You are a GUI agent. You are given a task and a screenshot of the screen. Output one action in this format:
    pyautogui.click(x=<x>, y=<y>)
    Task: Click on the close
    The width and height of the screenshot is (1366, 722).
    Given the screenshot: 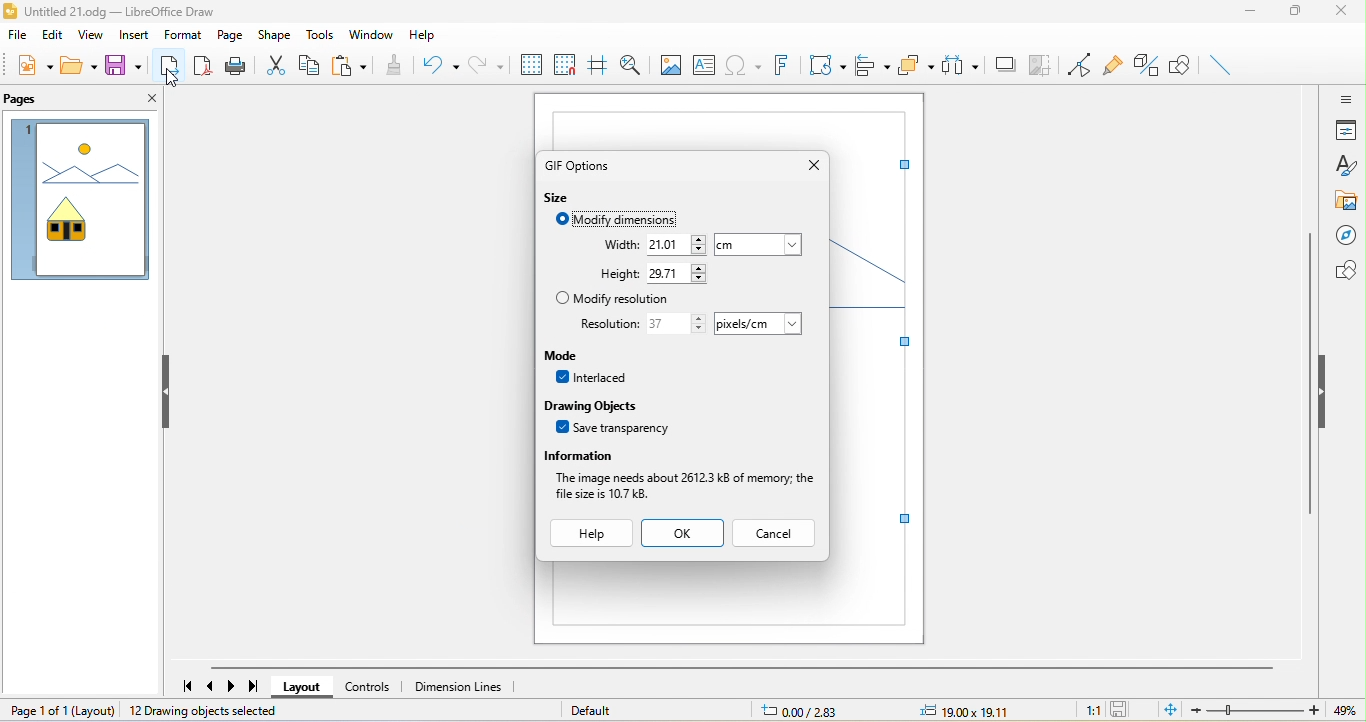 What is the action you would take?
    pyautogui.click(x=814, y=164)
    